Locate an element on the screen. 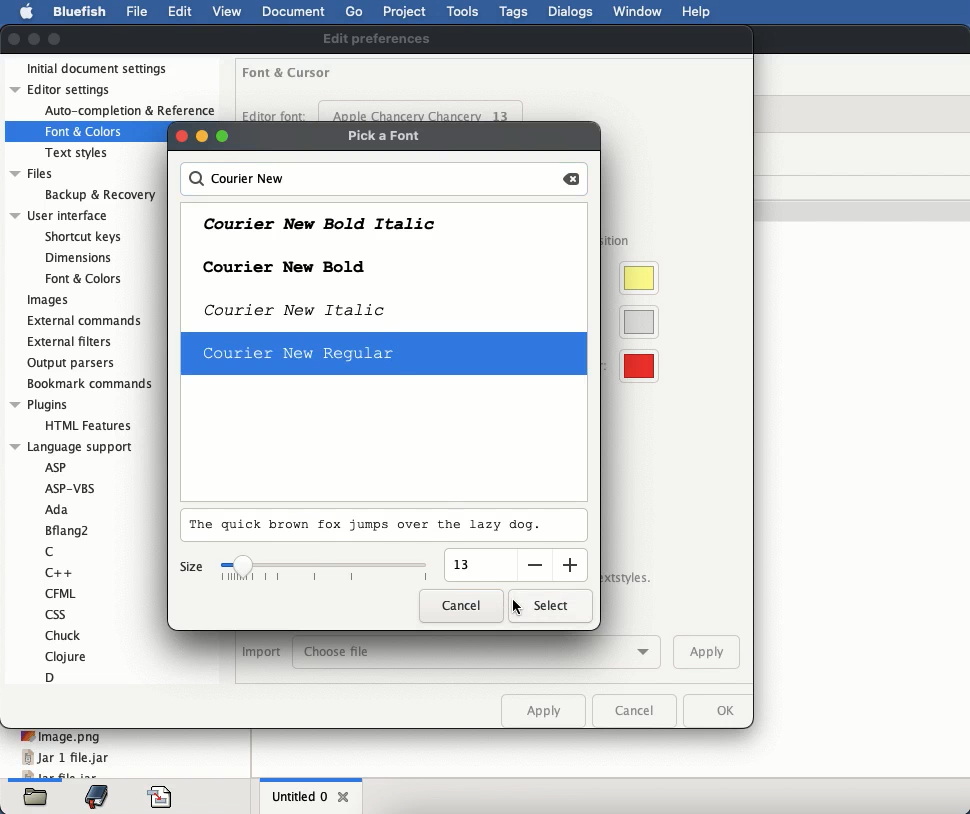 The height and width of the screenshot is (814, 970). maximize is located at coordinates (56, 37).